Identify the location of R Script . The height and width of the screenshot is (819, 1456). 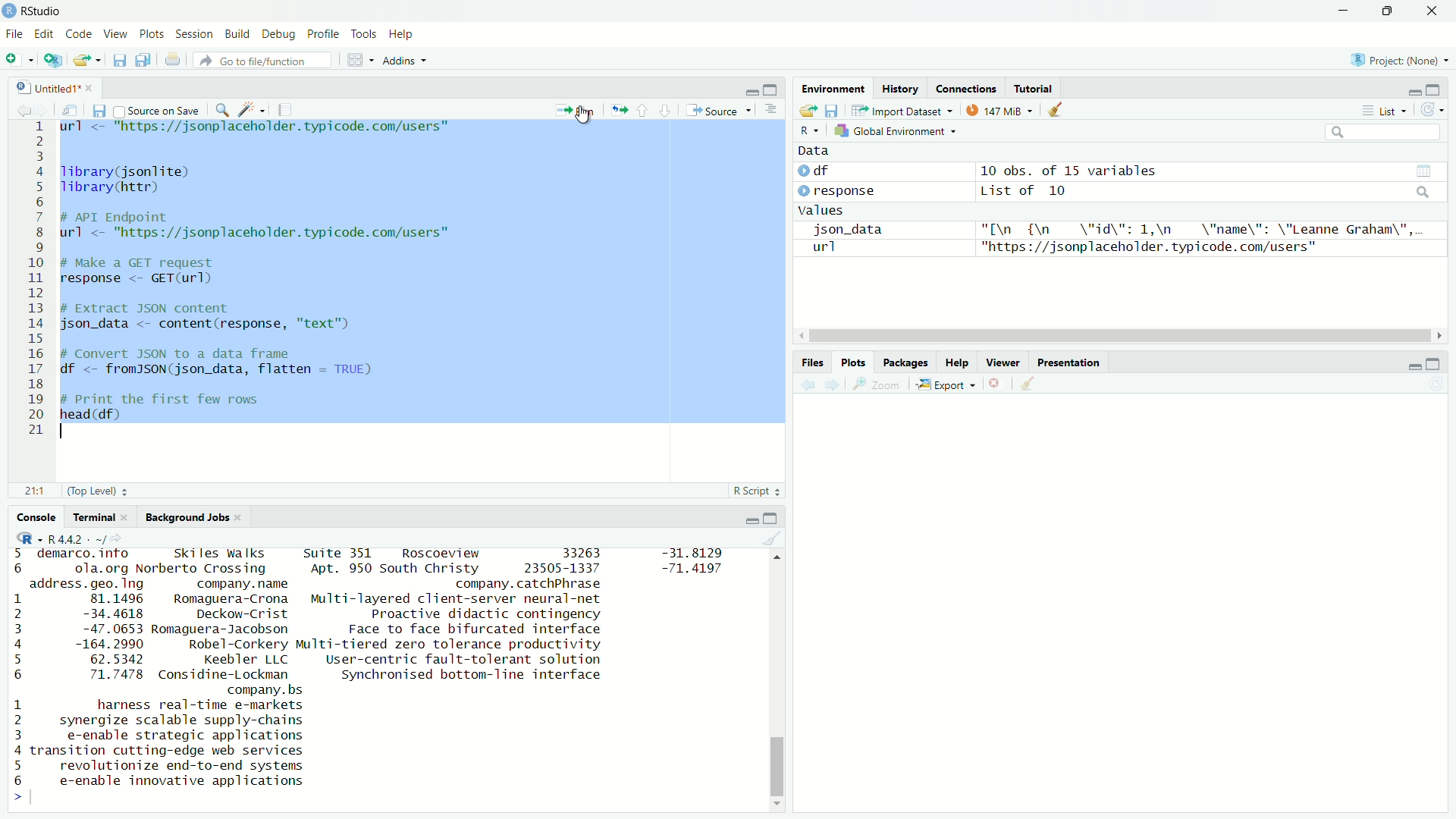
(757, 491).